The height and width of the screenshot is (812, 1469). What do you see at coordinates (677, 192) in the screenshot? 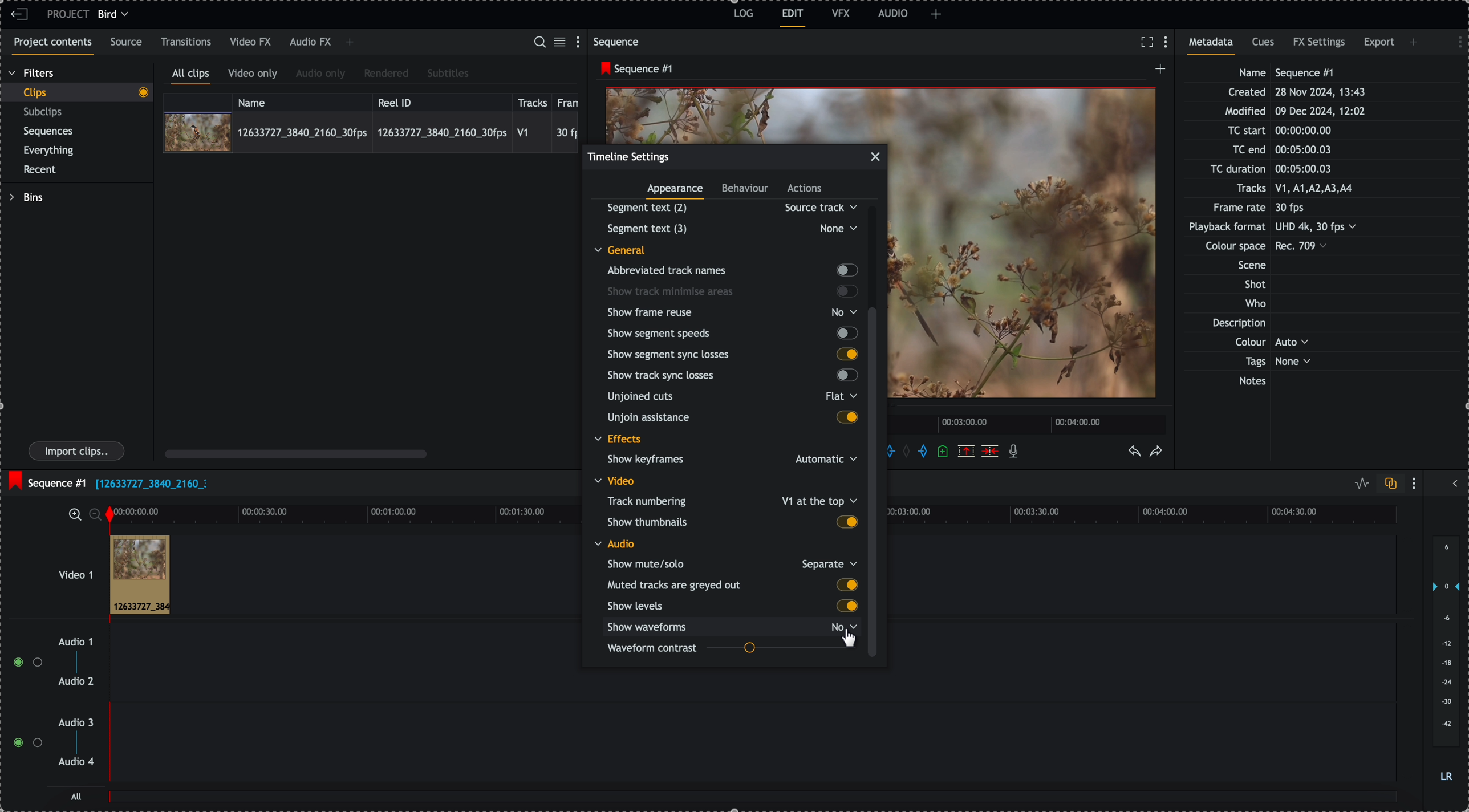
I see `appearance` at bounding box center [677, 192].